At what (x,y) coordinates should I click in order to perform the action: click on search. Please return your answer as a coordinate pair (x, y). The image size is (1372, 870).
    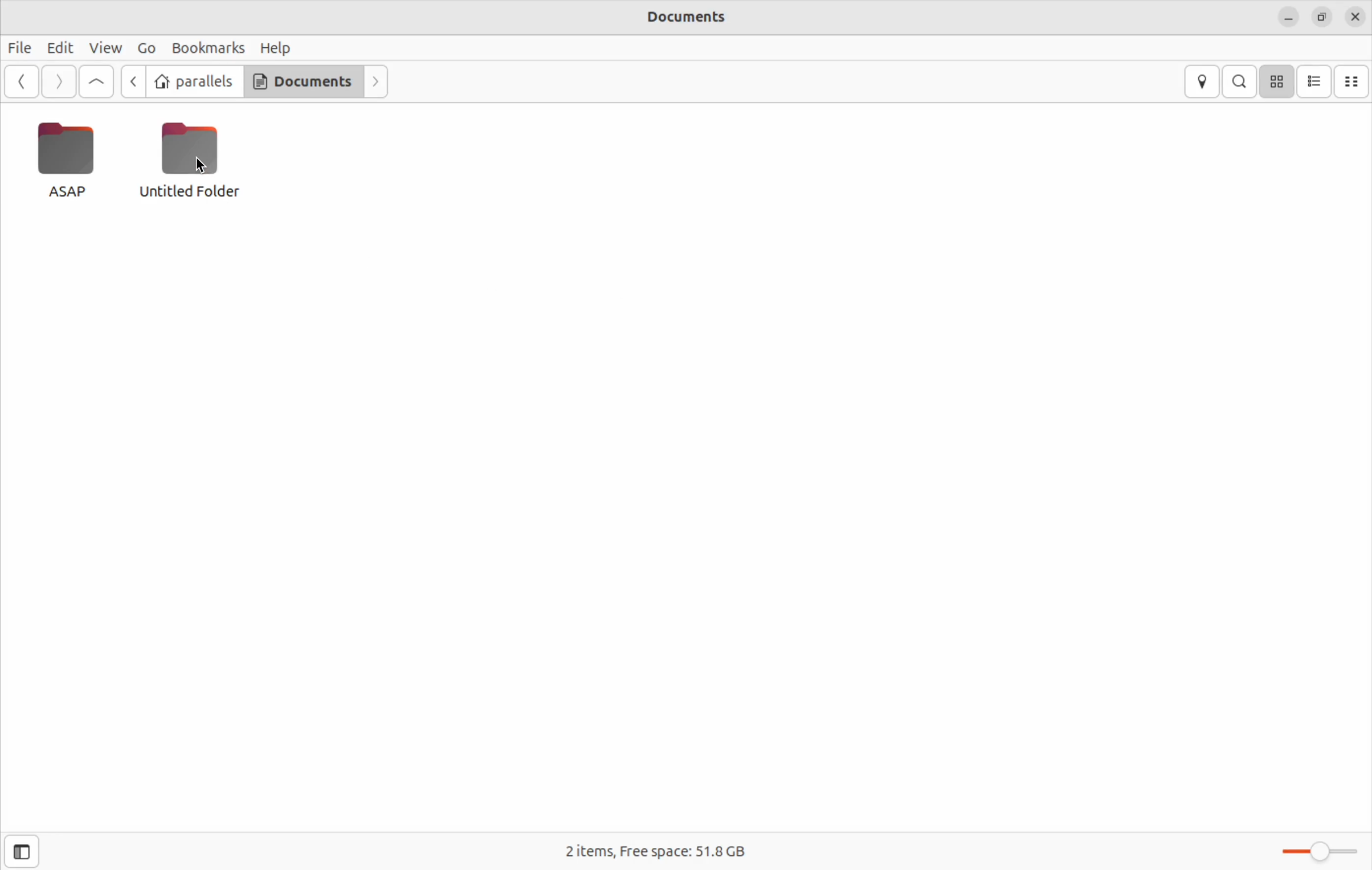
    Looking at the image, I should click on (1242, 81).